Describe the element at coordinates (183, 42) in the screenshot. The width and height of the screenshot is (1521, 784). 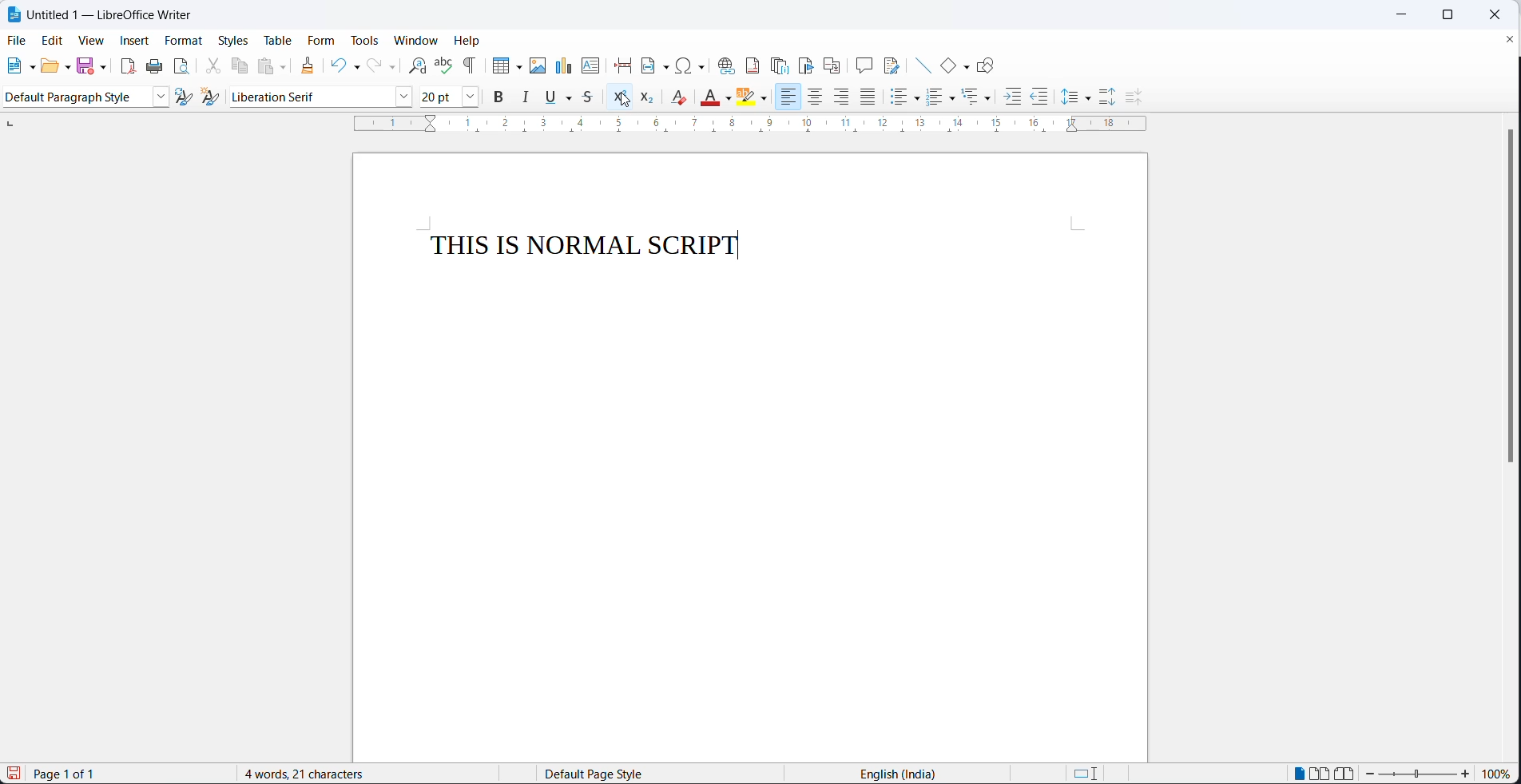
I see `format` at that location.